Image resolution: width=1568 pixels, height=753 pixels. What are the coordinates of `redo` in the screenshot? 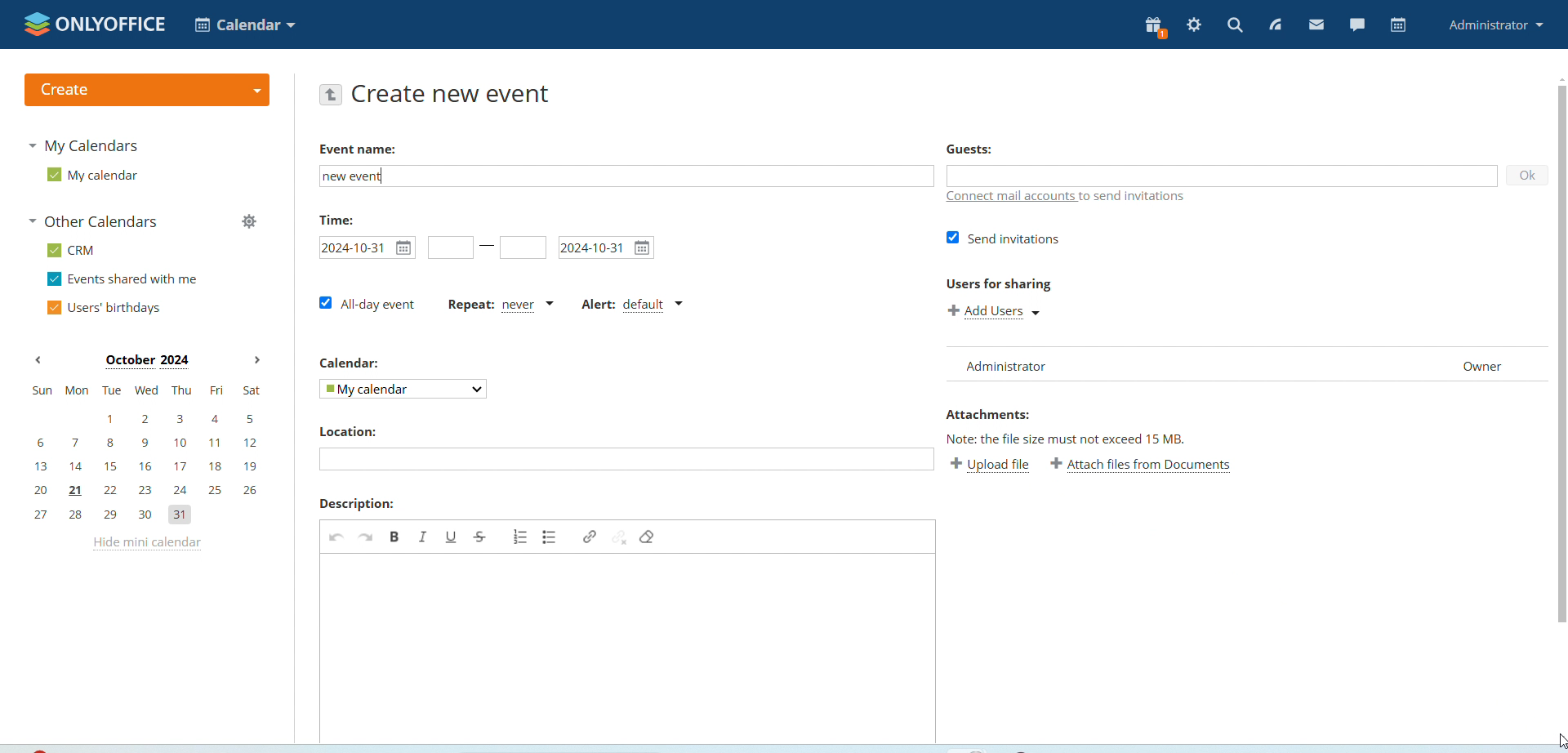 It's located at (367, 538).